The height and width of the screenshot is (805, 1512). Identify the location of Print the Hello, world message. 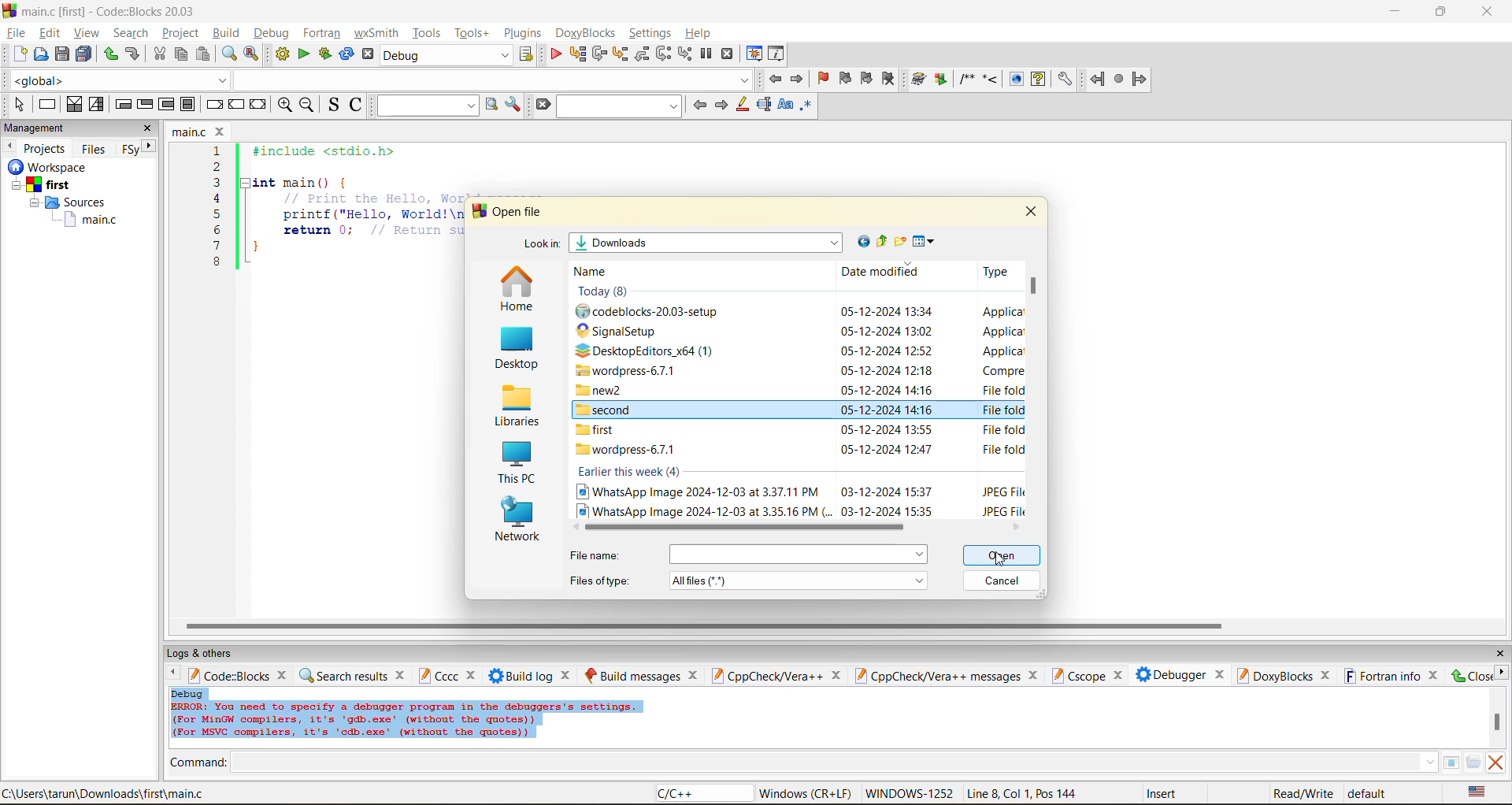
(373, 198).